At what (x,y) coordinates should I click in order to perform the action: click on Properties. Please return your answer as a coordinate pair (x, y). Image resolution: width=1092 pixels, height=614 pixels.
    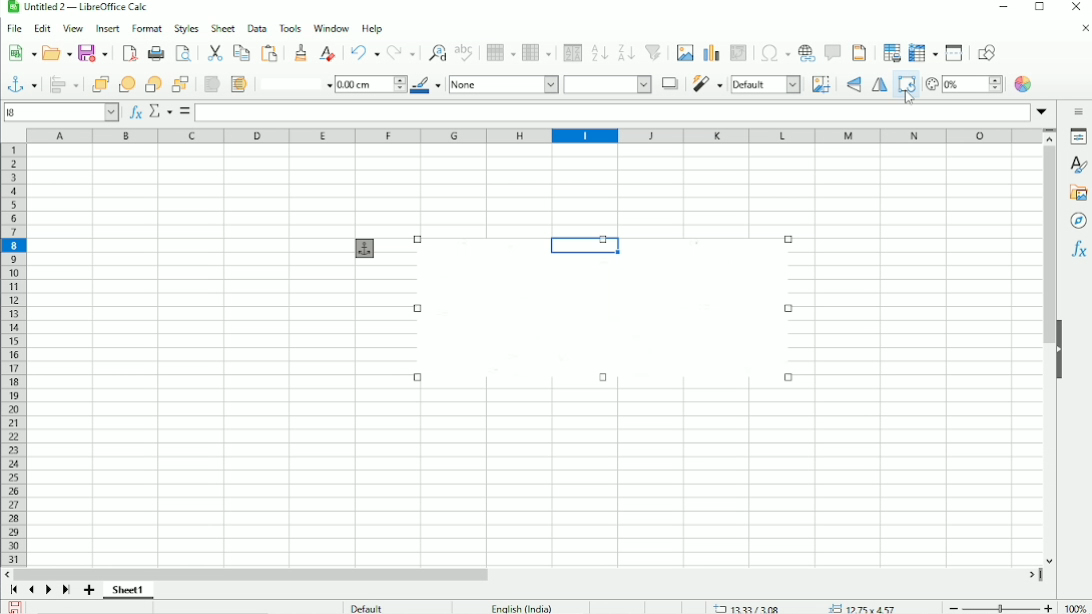
    Looking at the image, I should click on (1076, 137).